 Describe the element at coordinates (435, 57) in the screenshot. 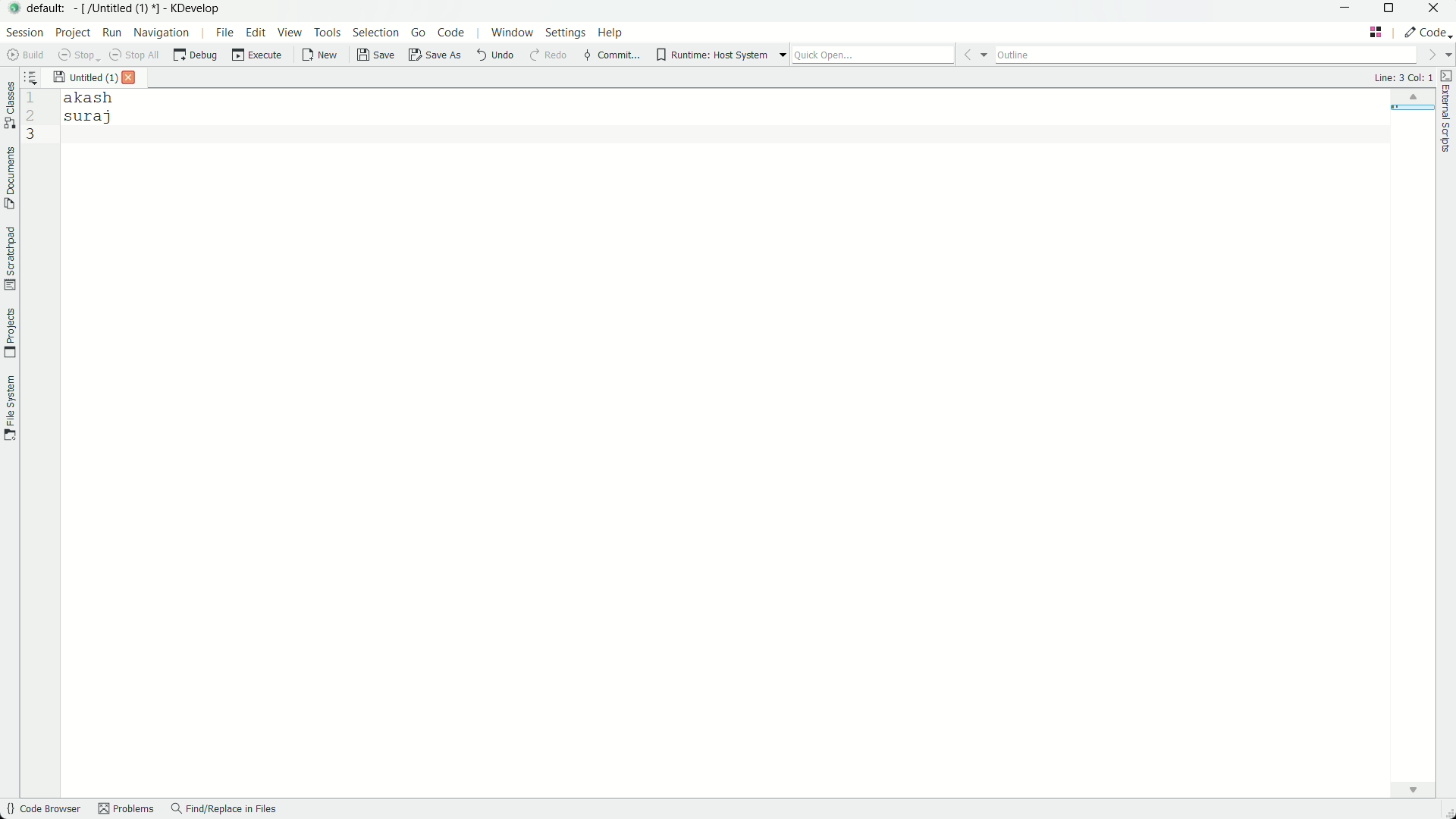

I see `save as` at that location.